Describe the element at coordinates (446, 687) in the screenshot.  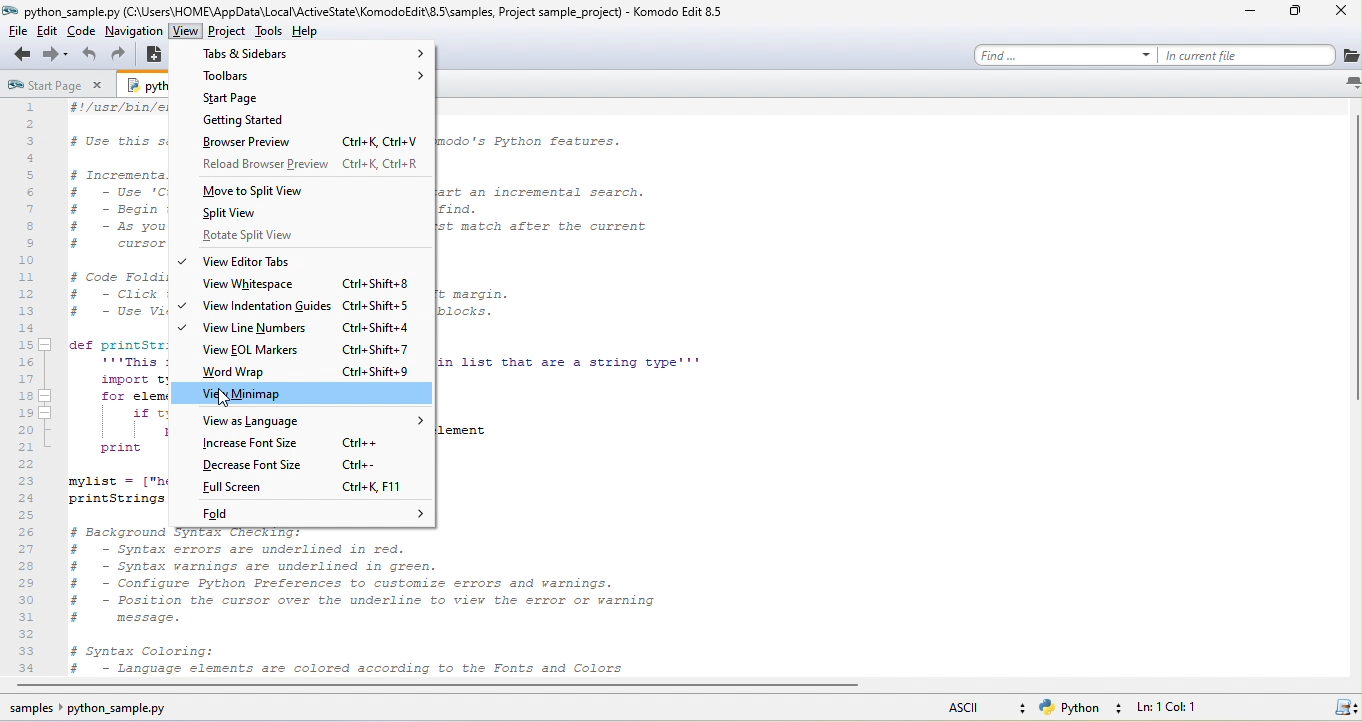
I see `horizontal scroll bar` at that location.